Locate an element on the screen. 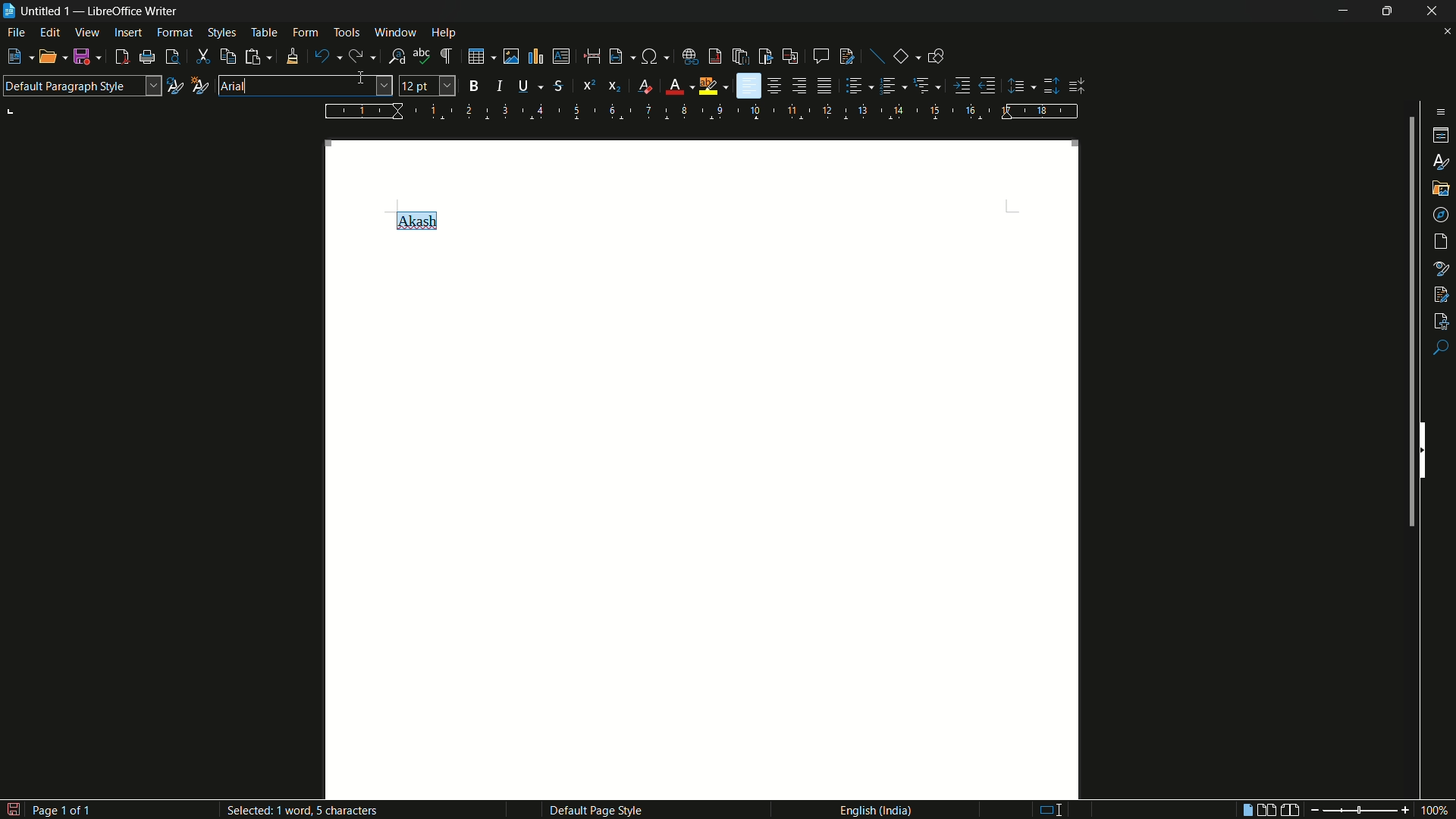 This screenshot has height=819, width=1456. insert table is located at coordinates (476, 56).